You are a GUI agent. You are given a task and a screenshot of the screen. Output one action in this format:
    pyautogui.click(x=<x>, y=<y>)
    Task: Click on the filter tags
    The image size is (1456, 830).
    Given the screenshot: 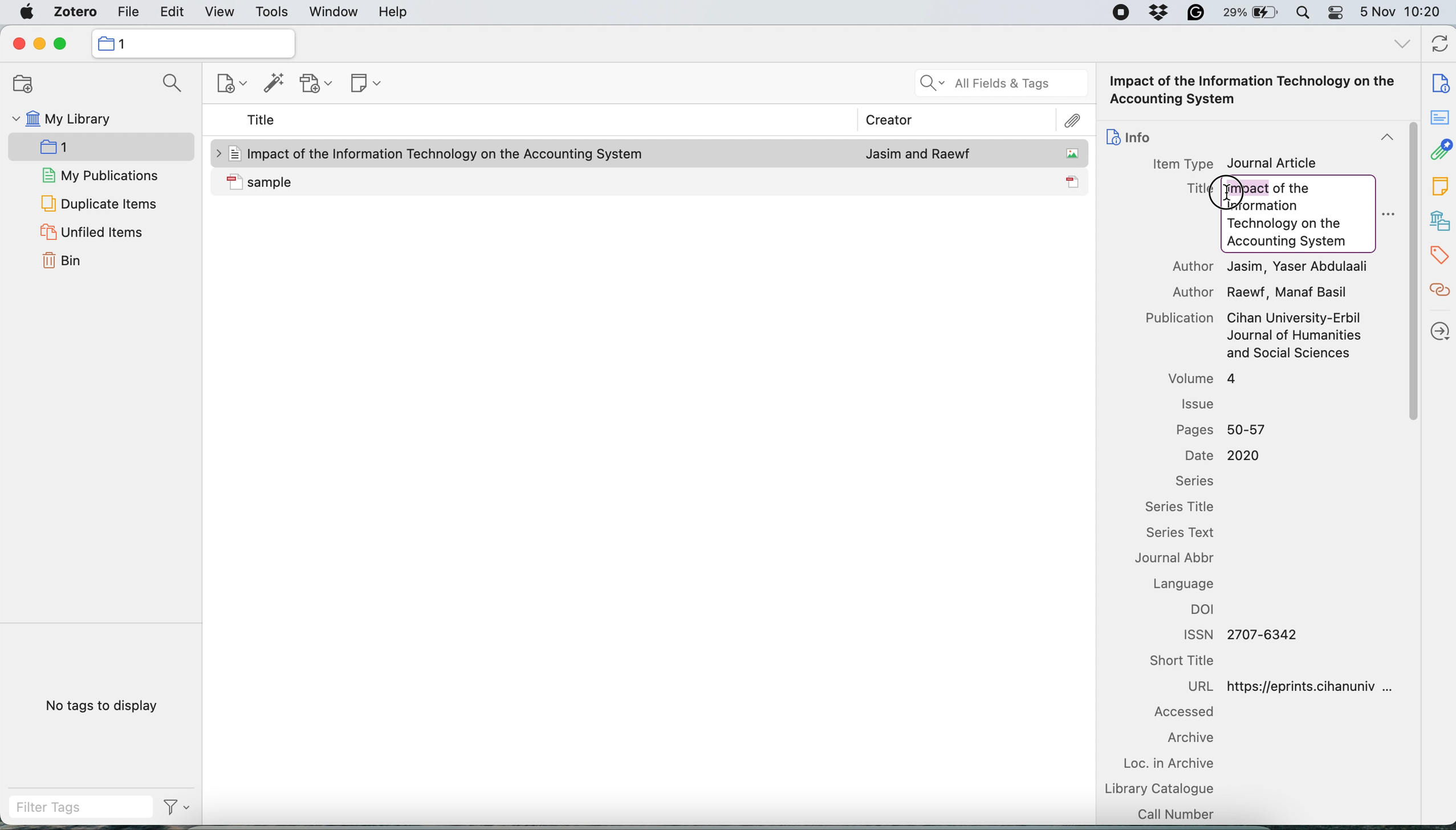 What is the action you would take?
    pyautogui.click(x=83, y=808)
    